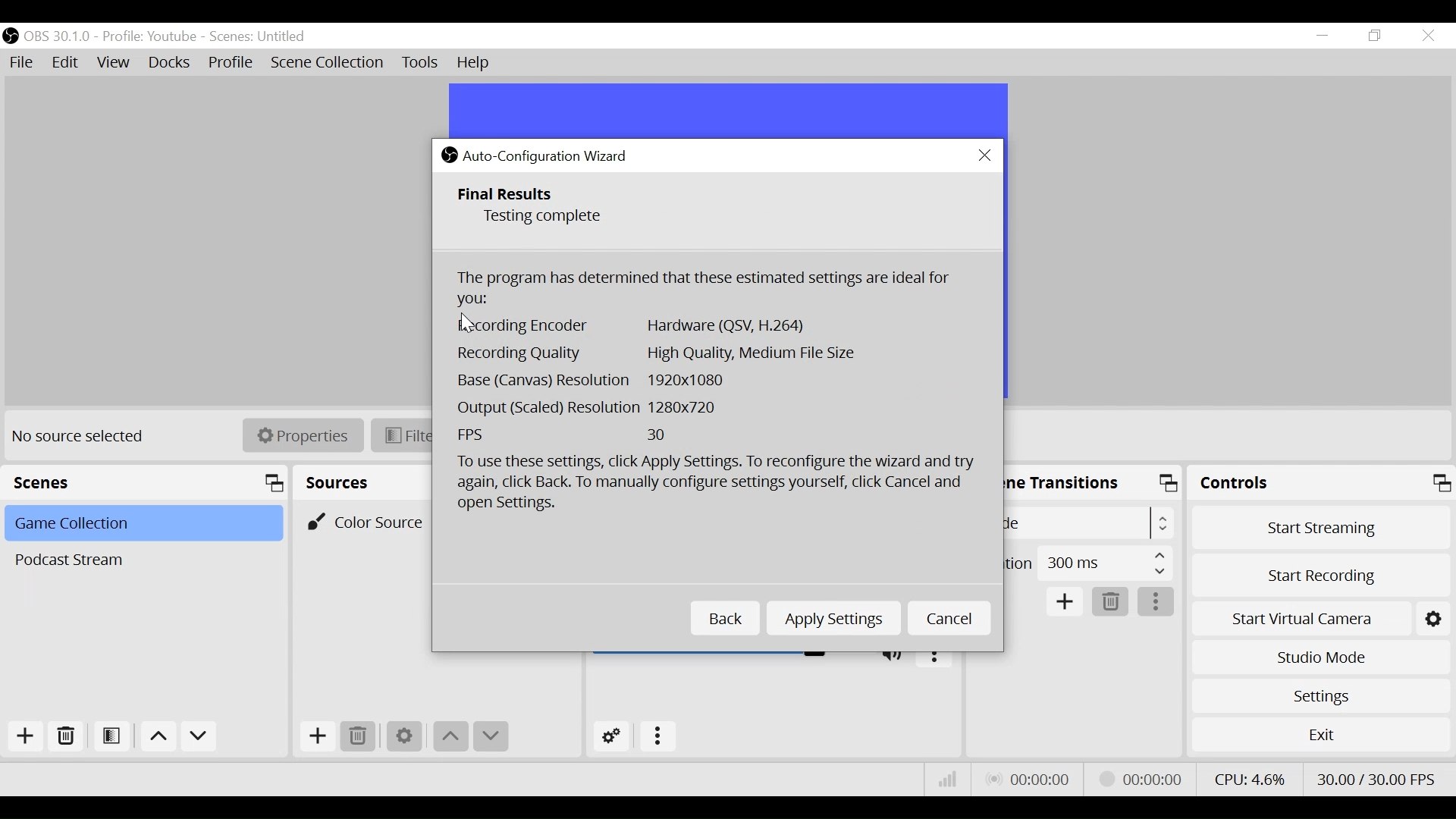 Image resolution: width=1456 pixels, height=819 pixels. I want to click on Close, so click(984, 156).